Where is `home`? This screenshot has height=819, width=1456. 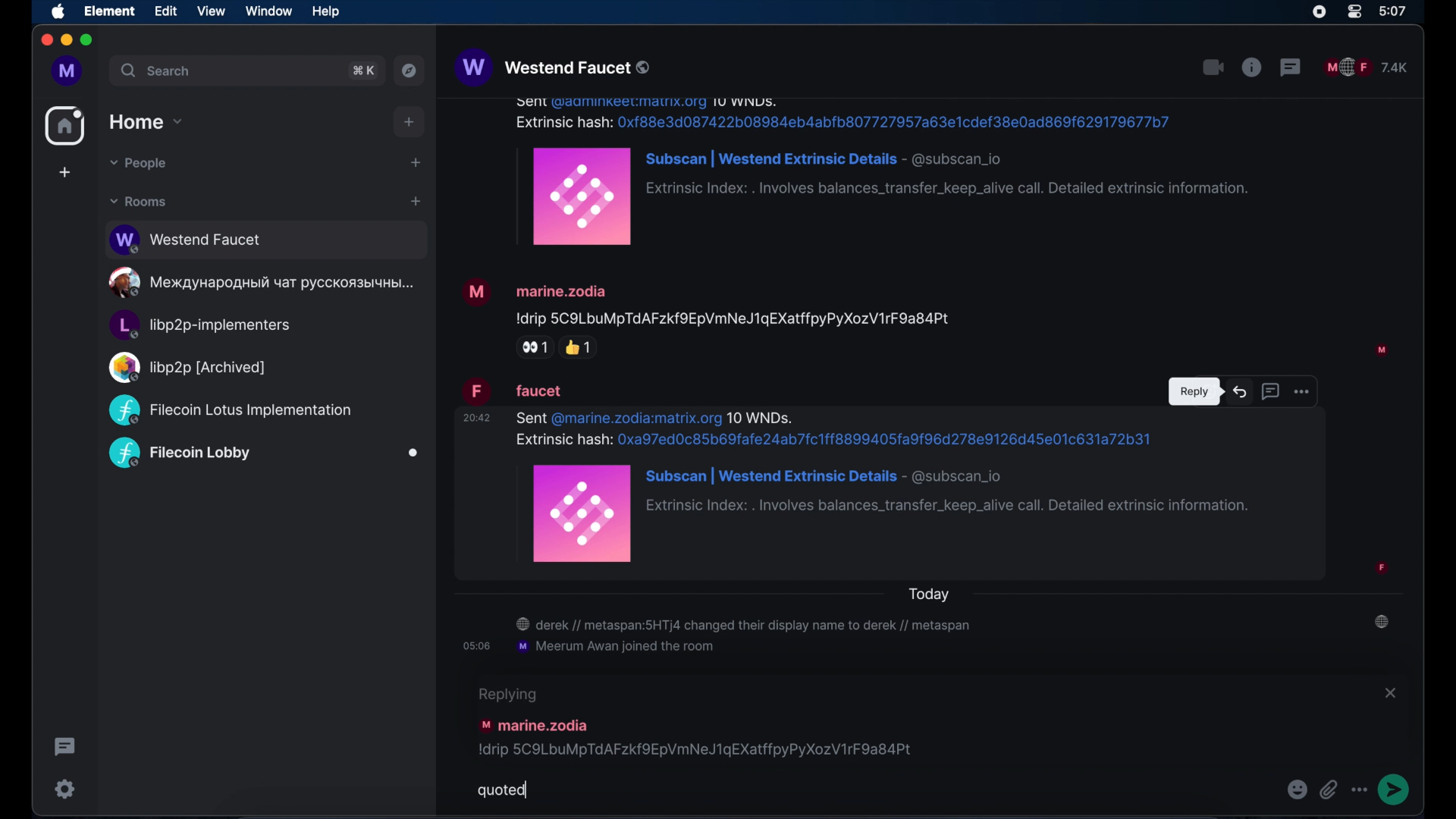 home is located at coordinates (64, 126).